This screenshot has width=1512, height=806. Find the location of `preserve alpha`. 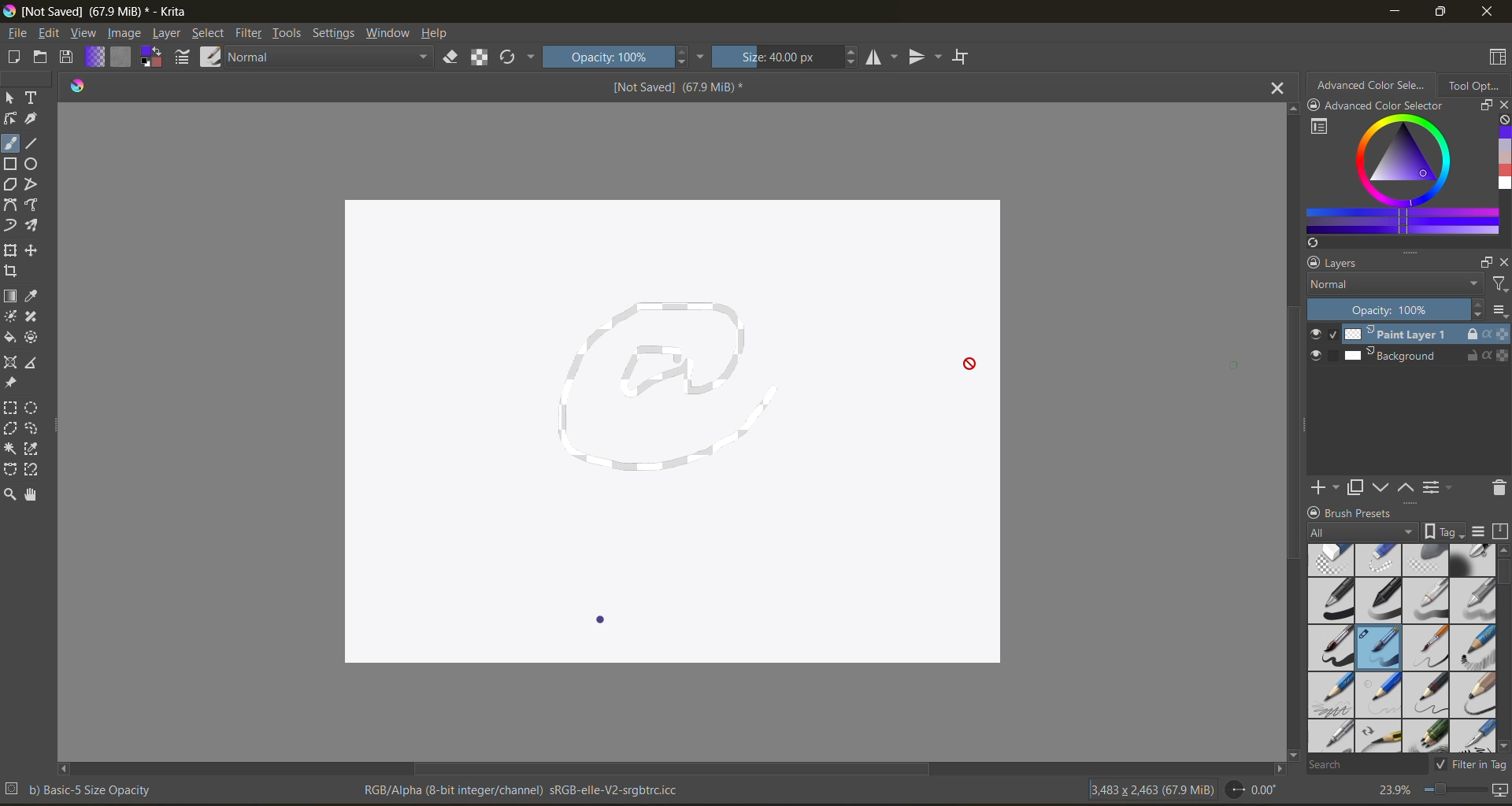

preserve alpha is located at coordinates (480, 57).